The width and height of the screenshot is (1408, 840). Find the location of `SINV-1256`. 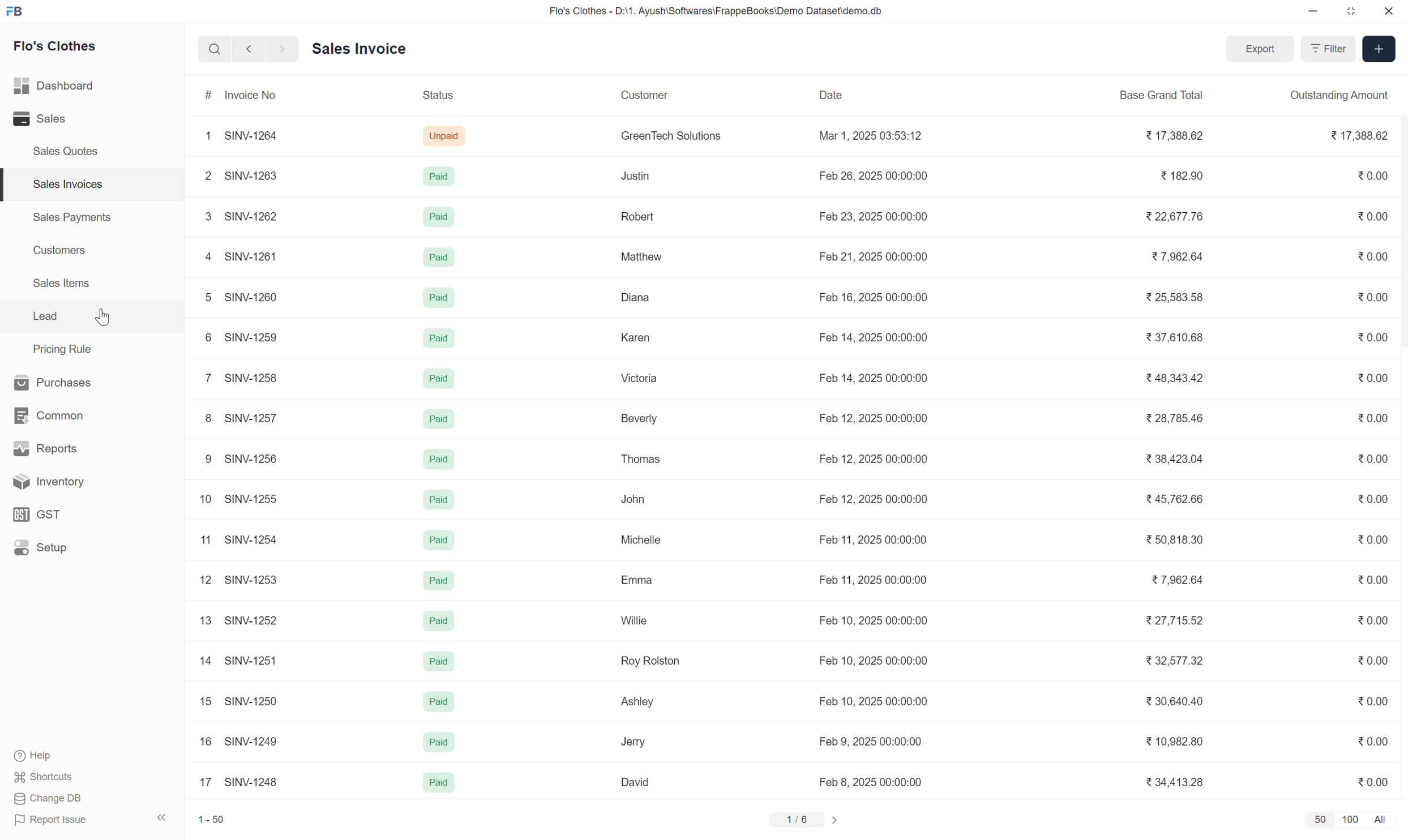

SINV-1256 is located at coordinates (254, 458).